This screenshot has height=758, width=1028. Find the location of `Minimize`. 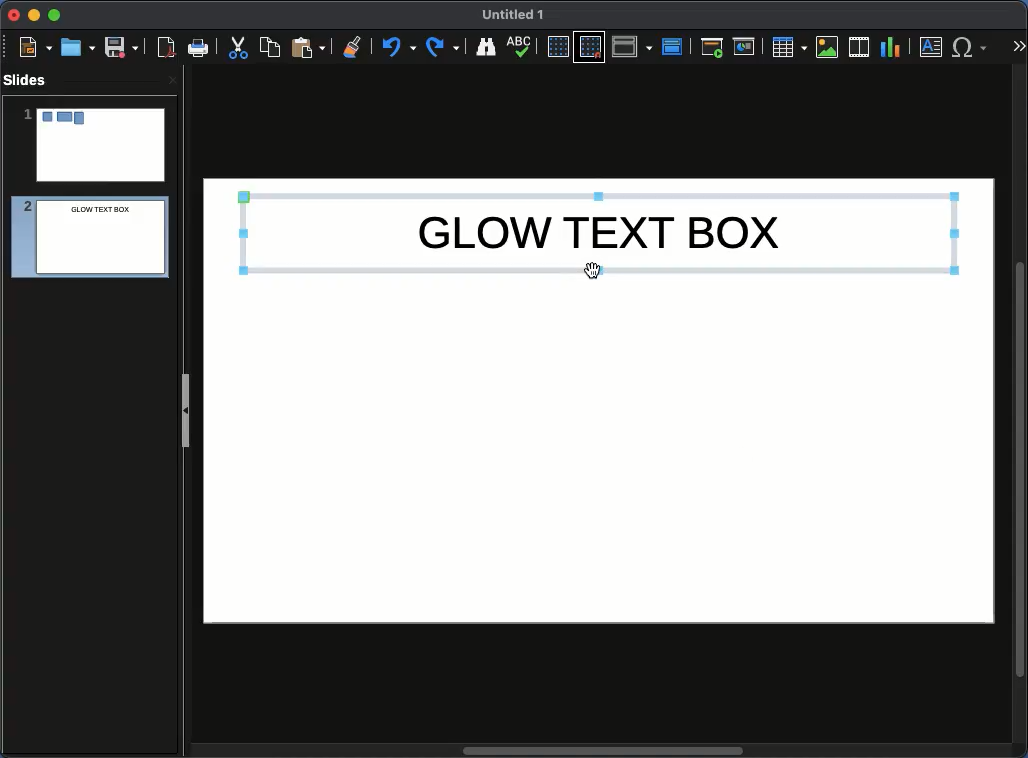

Minimize is located at coordinates (33, 14).